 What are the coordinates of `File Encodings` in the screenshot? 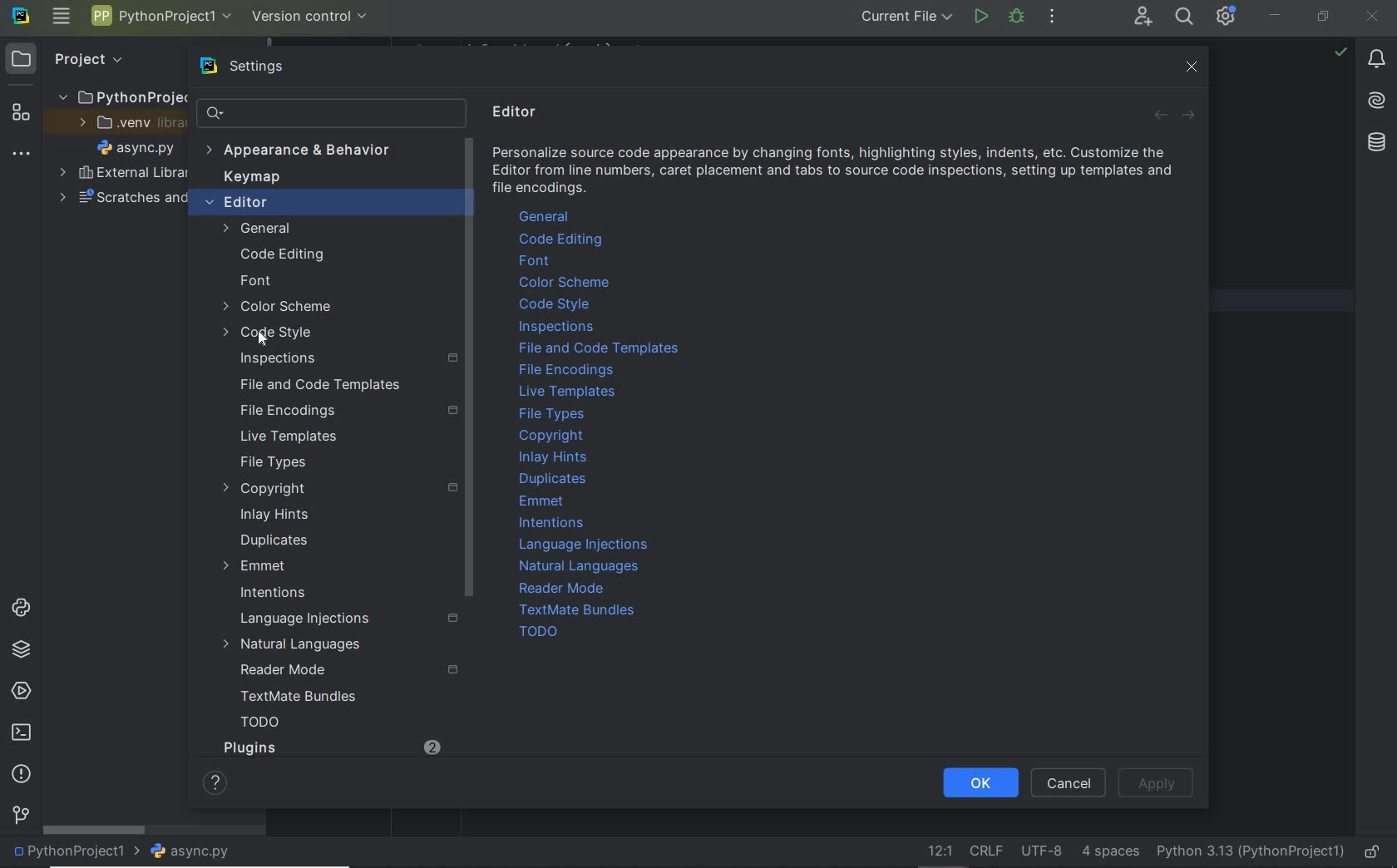 It's located at (344, 410).